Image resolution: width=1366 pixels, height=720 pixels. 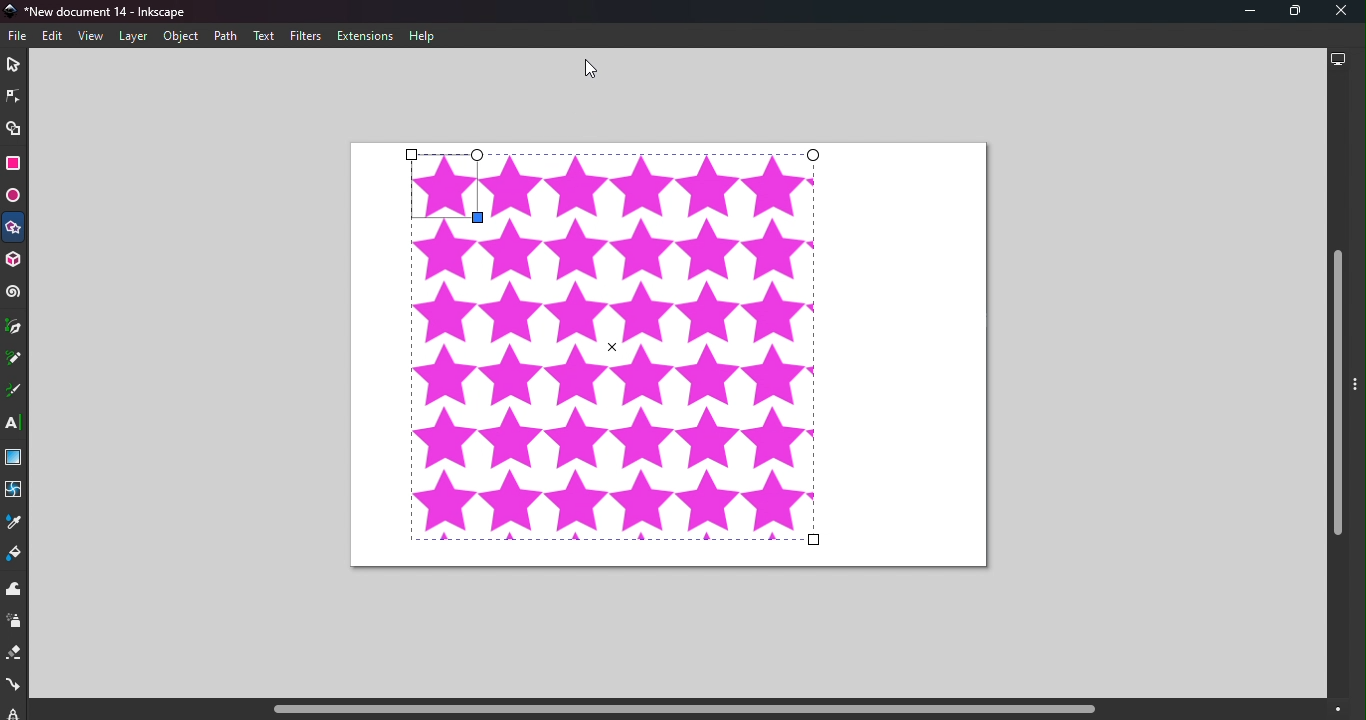 What do you see at coordinates (15, 327) in the screenshot?
I see `Pen tool` at bounding box center [15, 327].